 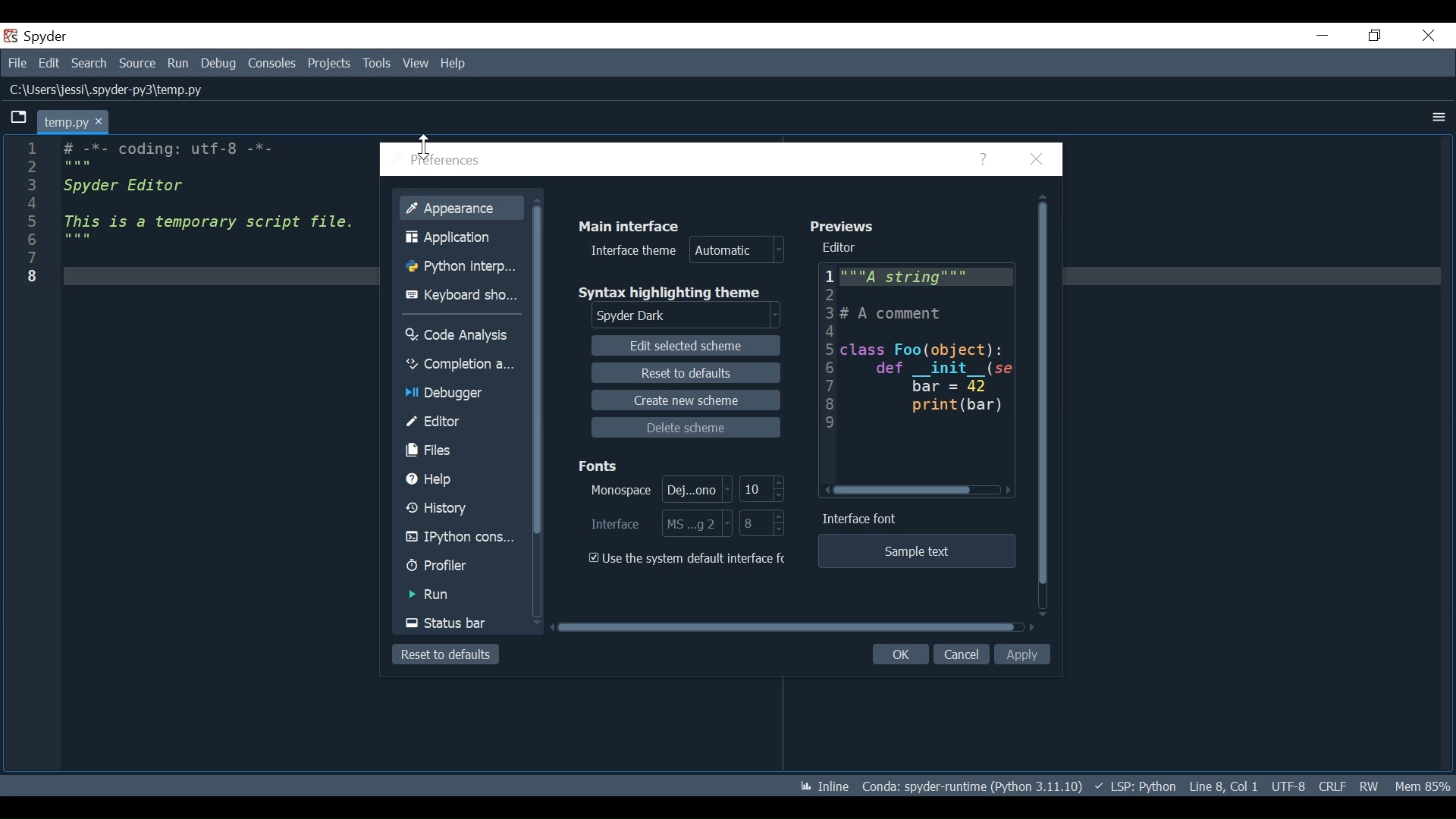 I want to click on Language, so click(x=1137, y=786).